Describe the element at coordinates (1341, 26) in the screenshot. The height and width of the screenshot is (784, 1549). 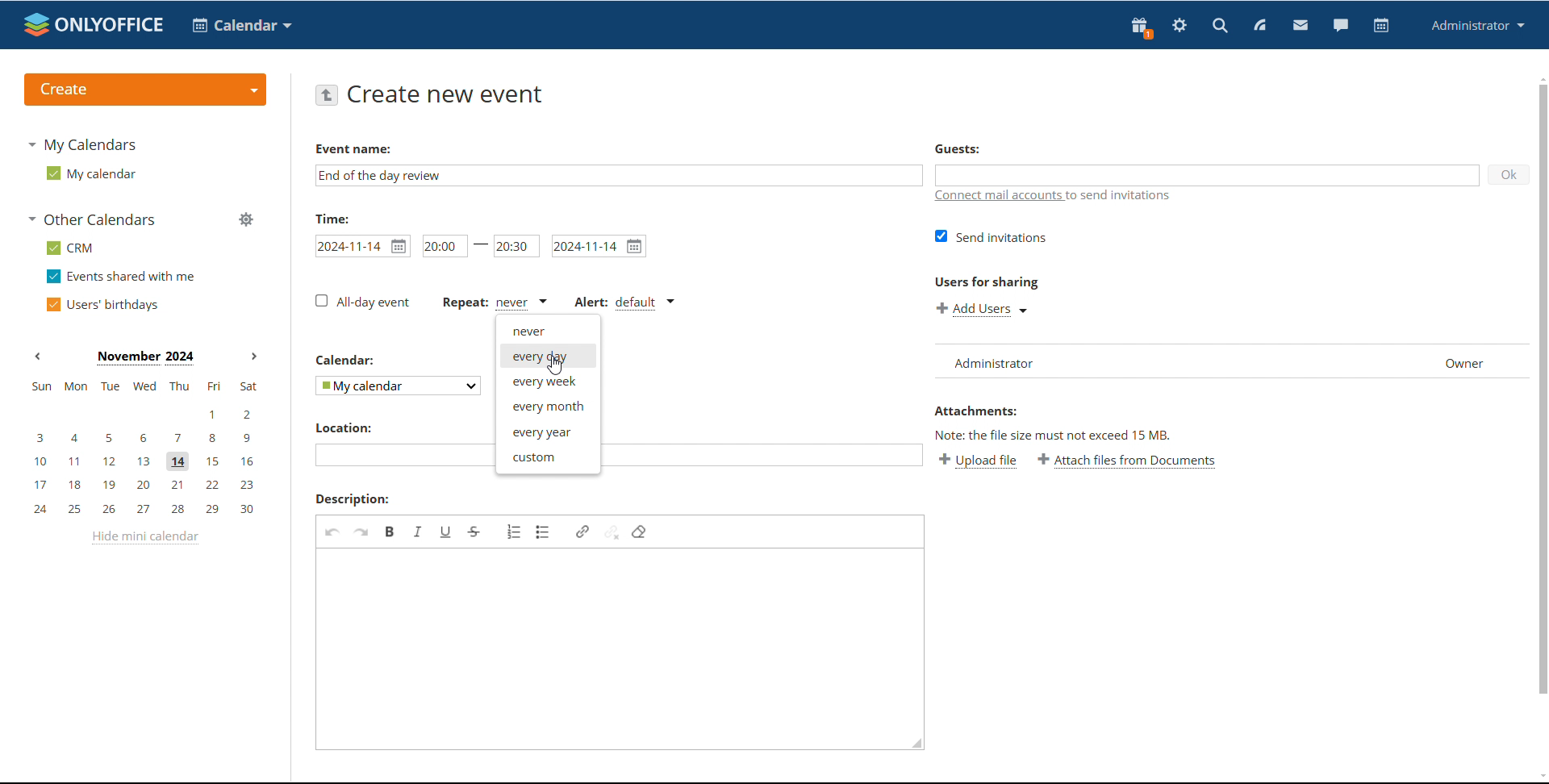
I see `chat` at that location.